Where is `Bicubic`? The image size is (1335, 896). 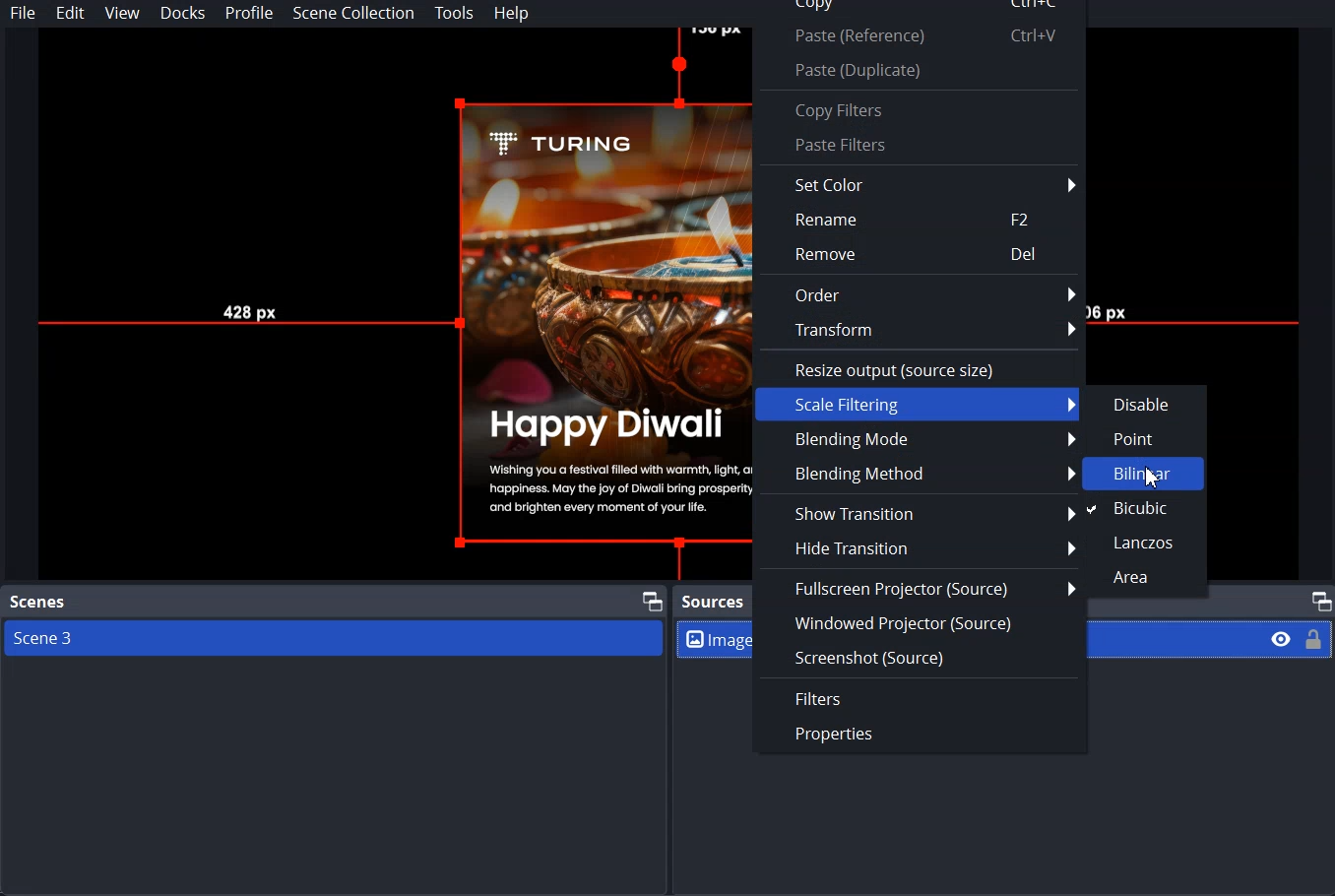
Bicubic is located at coordinates (1143, 508).